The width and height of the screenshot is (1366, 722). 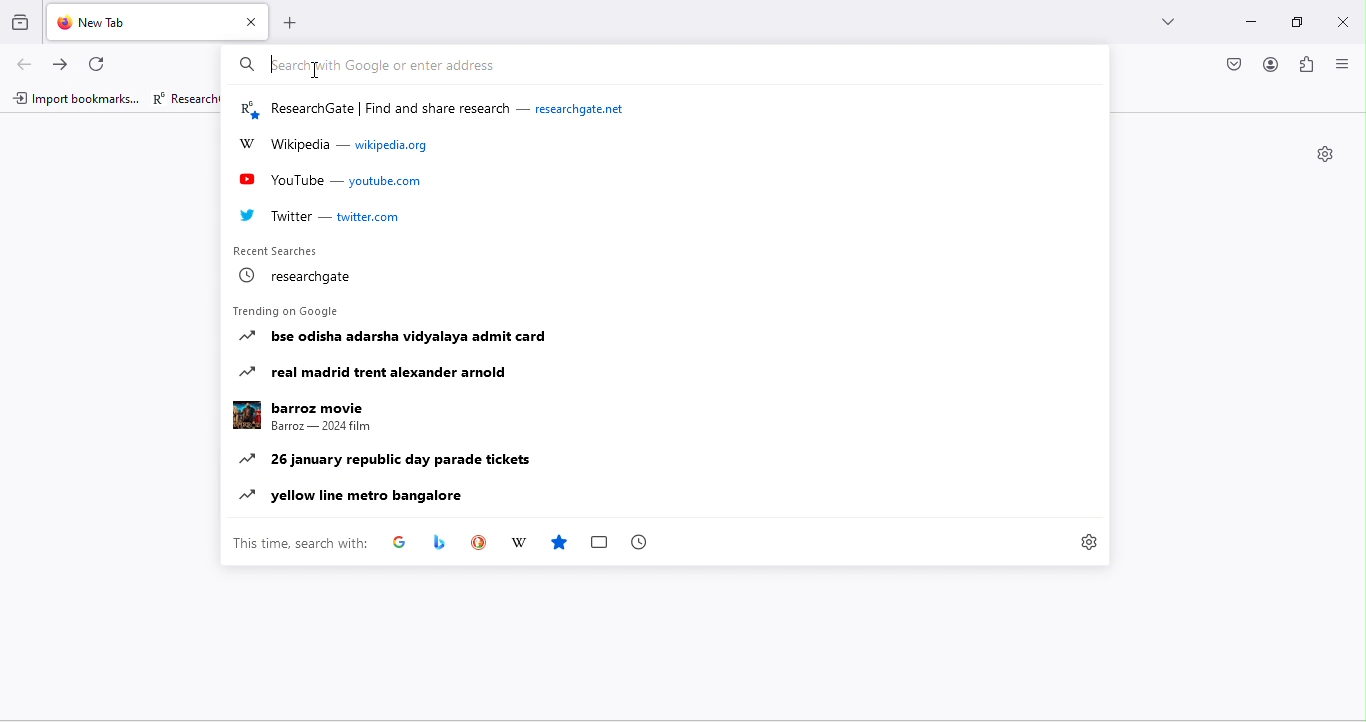 What do you see at coordinates (20, 64) in the screenshot?
I see `back` at bounding box center [20, 64].